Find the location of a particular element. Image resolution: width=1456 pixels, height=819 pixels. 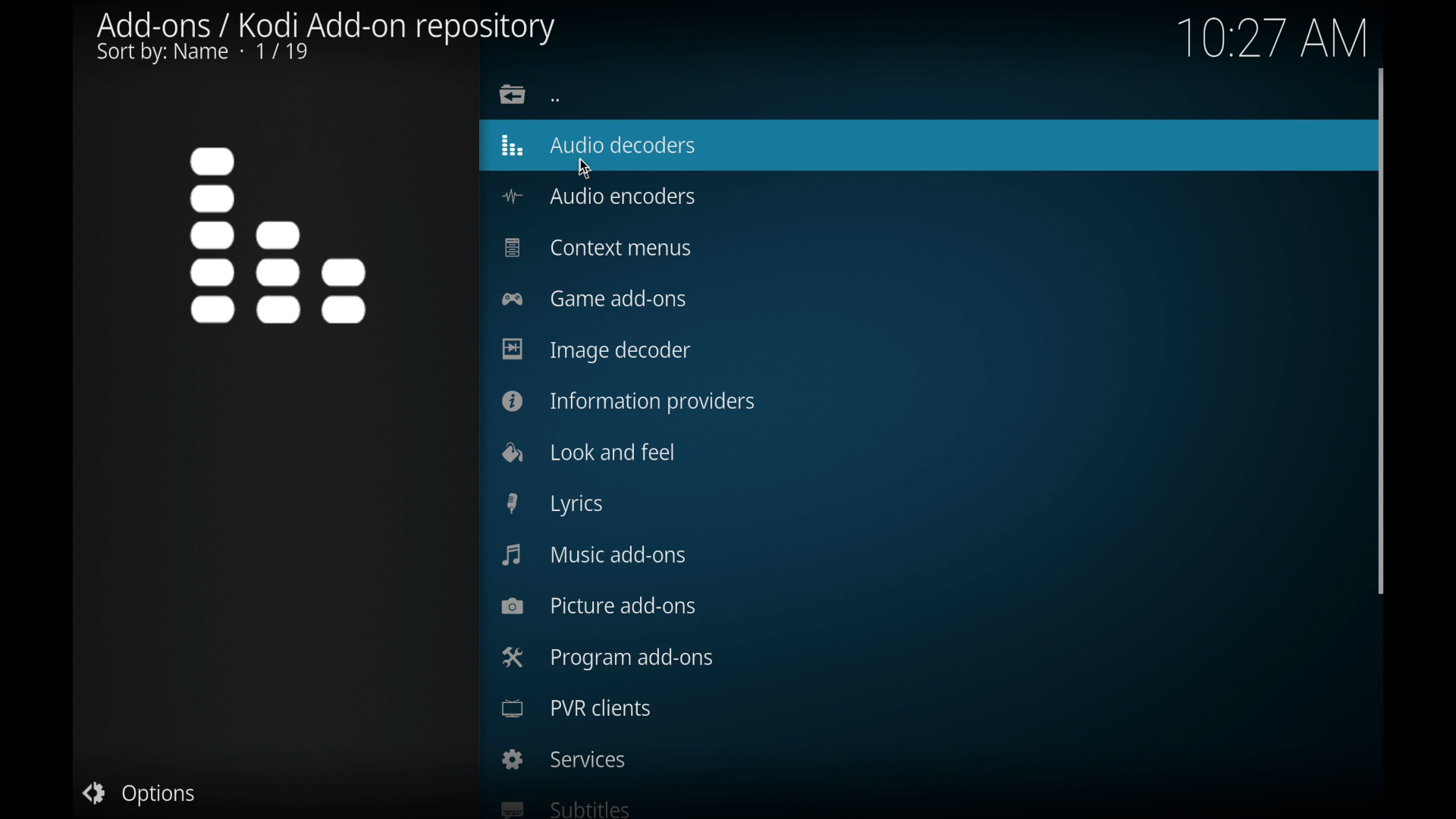

repository icon is located at coordinates (282, 233).